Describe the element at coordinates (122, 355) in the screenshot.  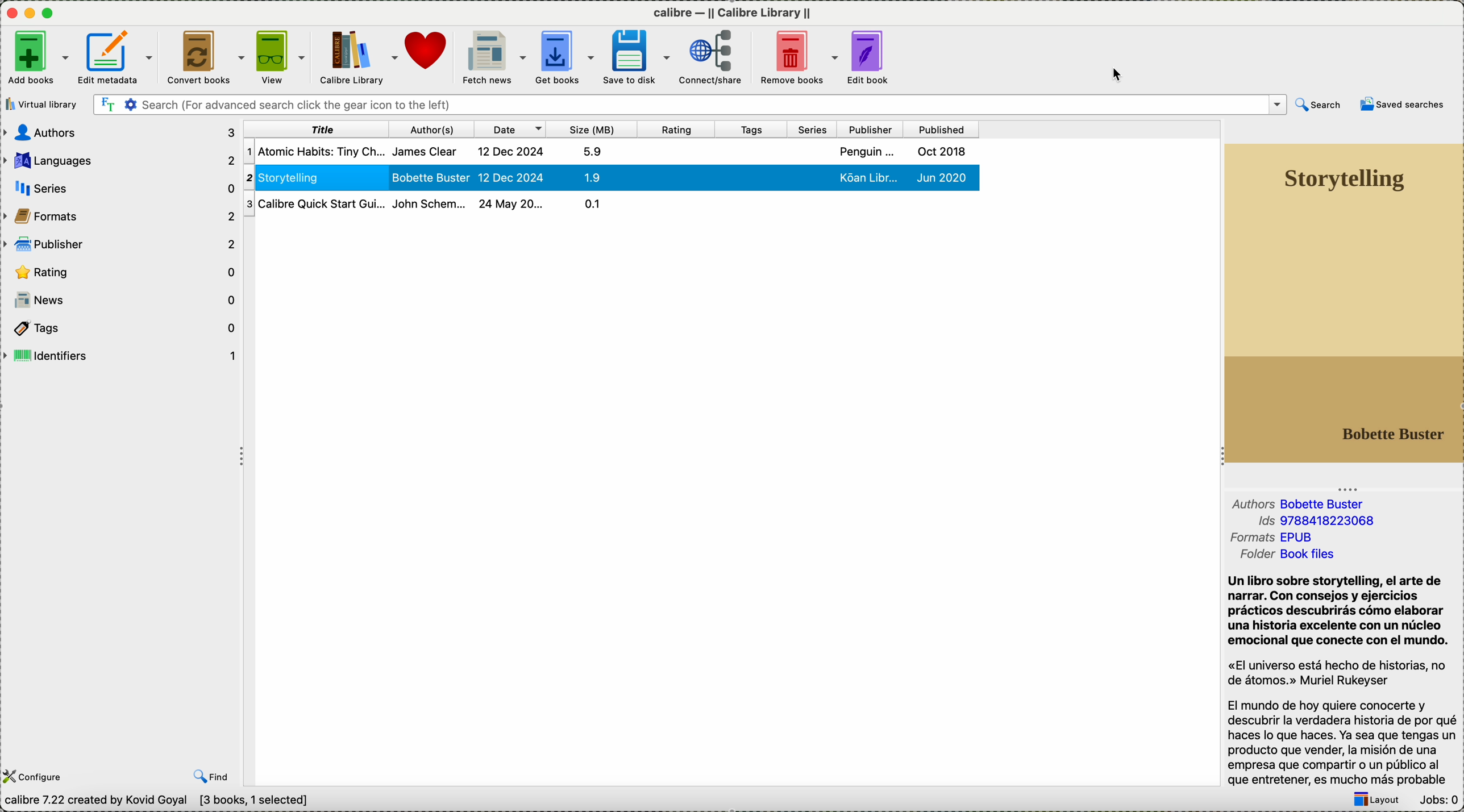
I see `identifiers` at that location.